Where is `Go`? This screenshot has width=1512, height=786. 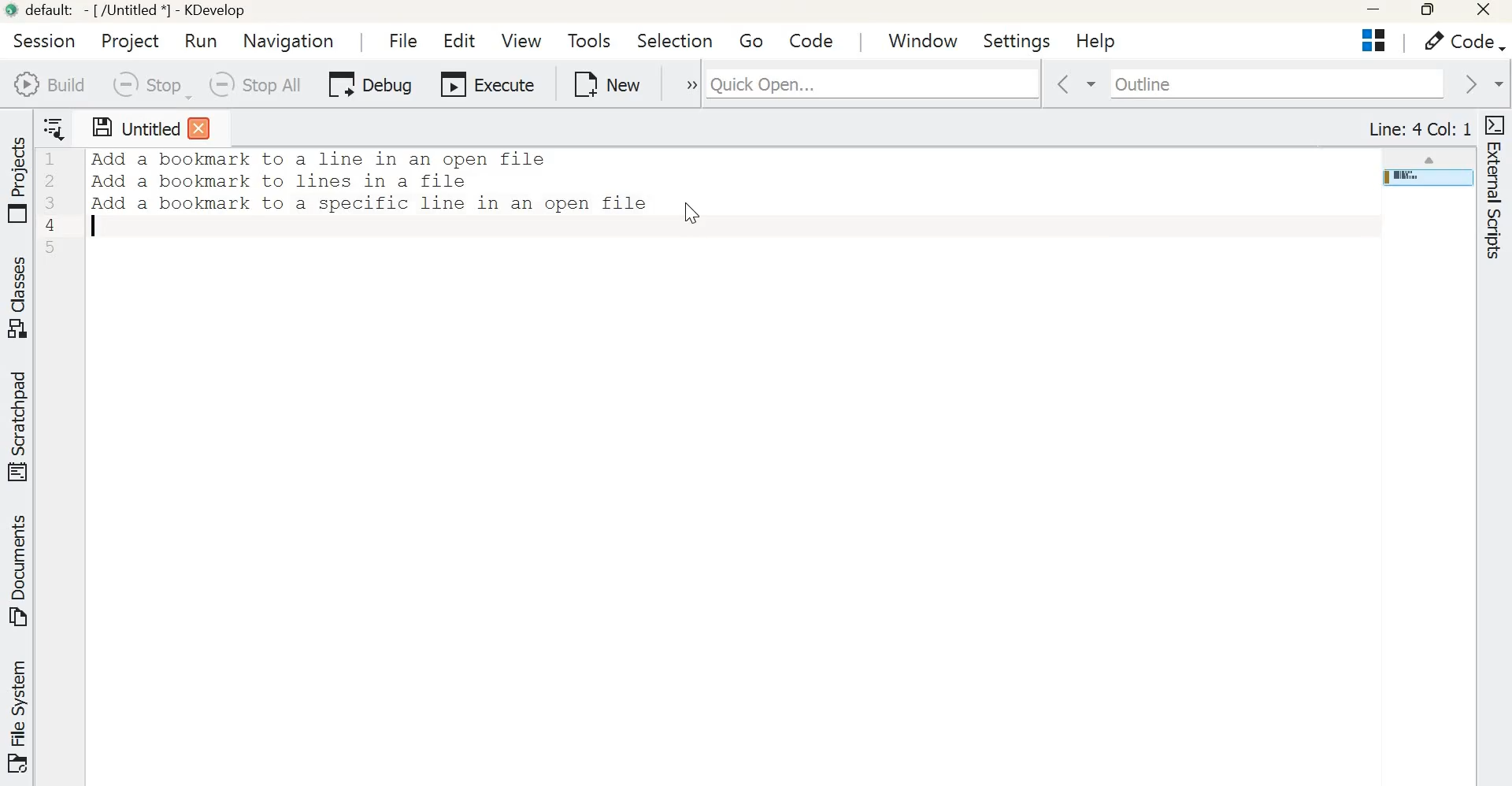
Go is located at coordinates (754, 39).